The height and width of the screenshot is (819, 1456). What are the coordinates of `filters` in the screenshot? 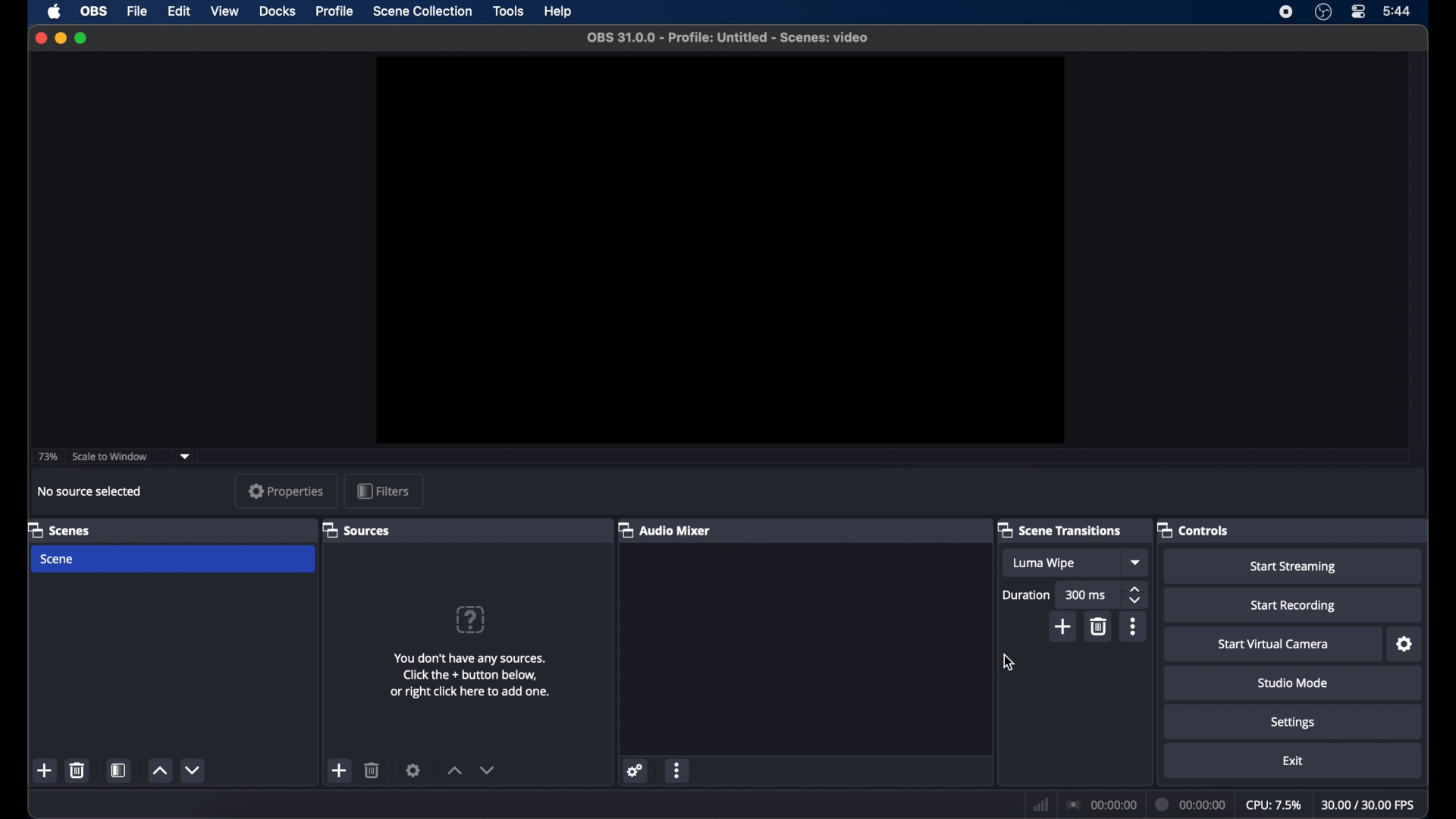 It's located at (384, 491).